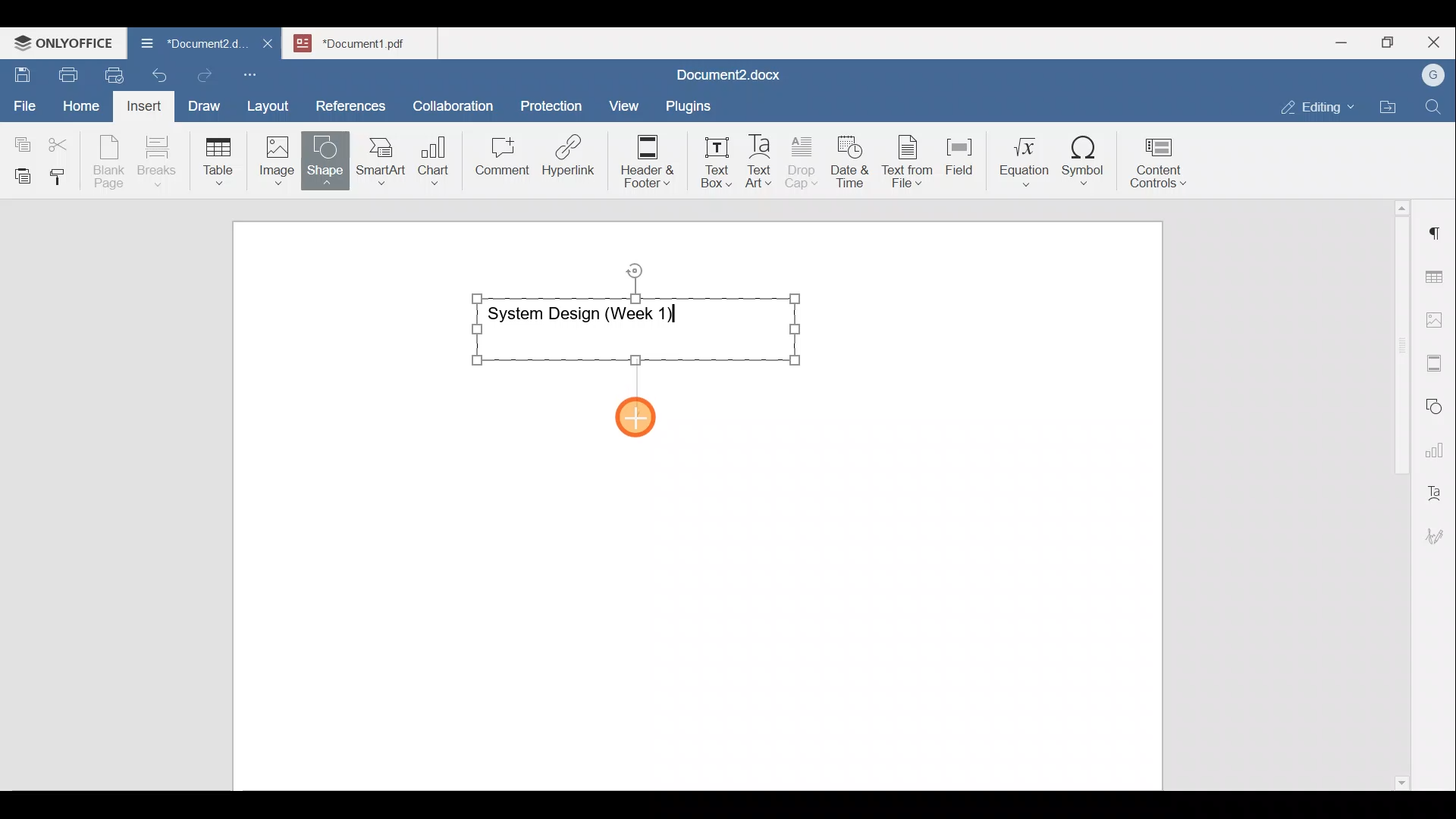 The image size is (1456, 819). Describe the element at coordinates (450, 98) in the screenshot. I see `Collaboration` at that location.